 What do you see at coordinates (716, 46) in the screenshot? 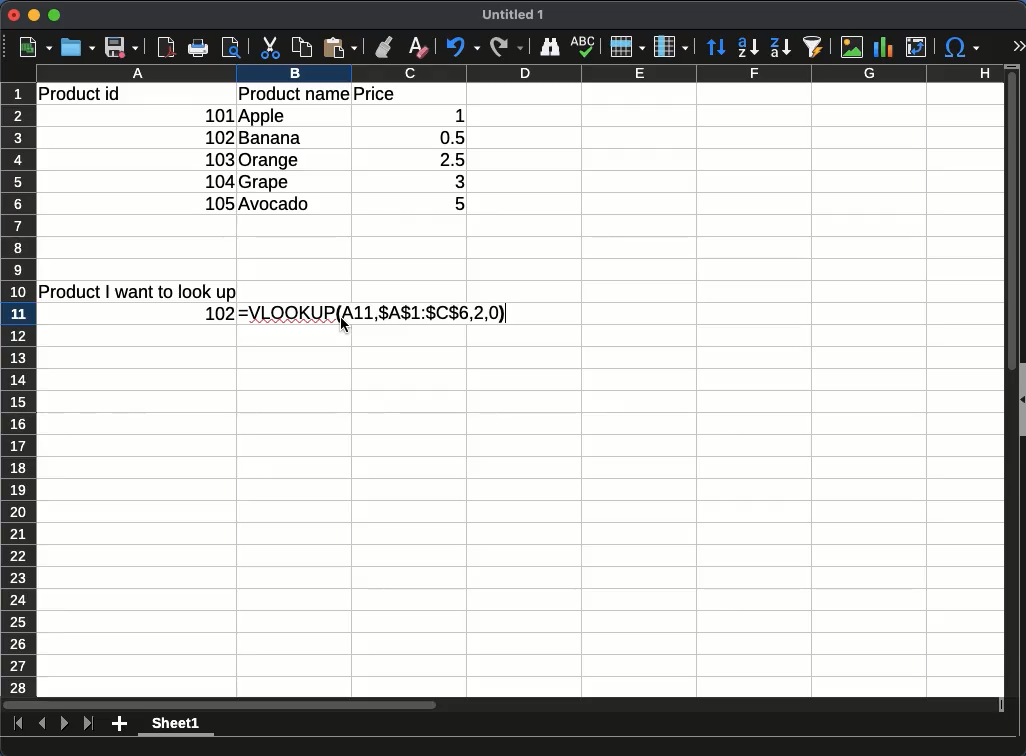
I see `sort` at bounding box center [716, 46].